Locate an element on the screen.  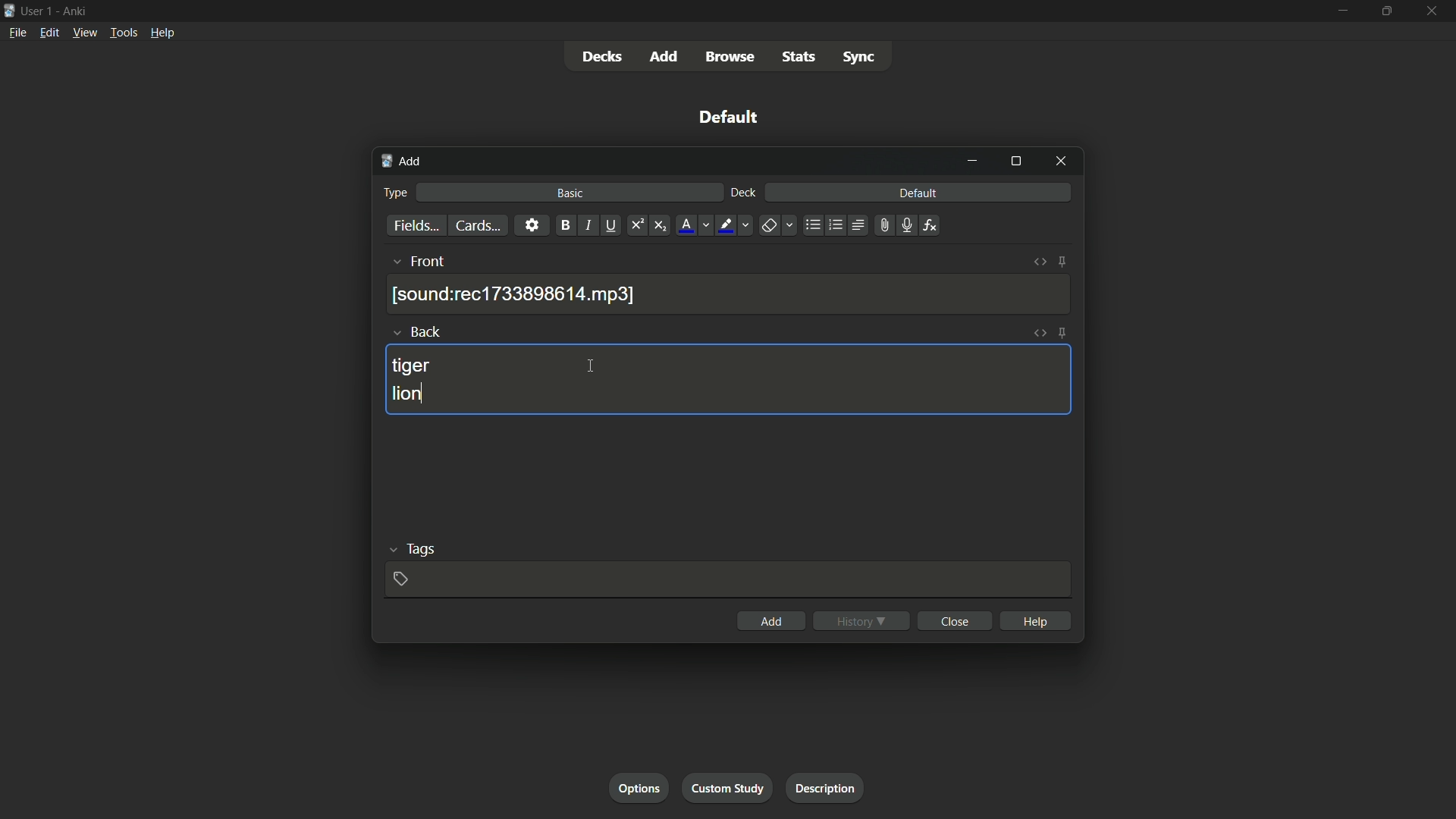
default is located at coordinates (918, 193).